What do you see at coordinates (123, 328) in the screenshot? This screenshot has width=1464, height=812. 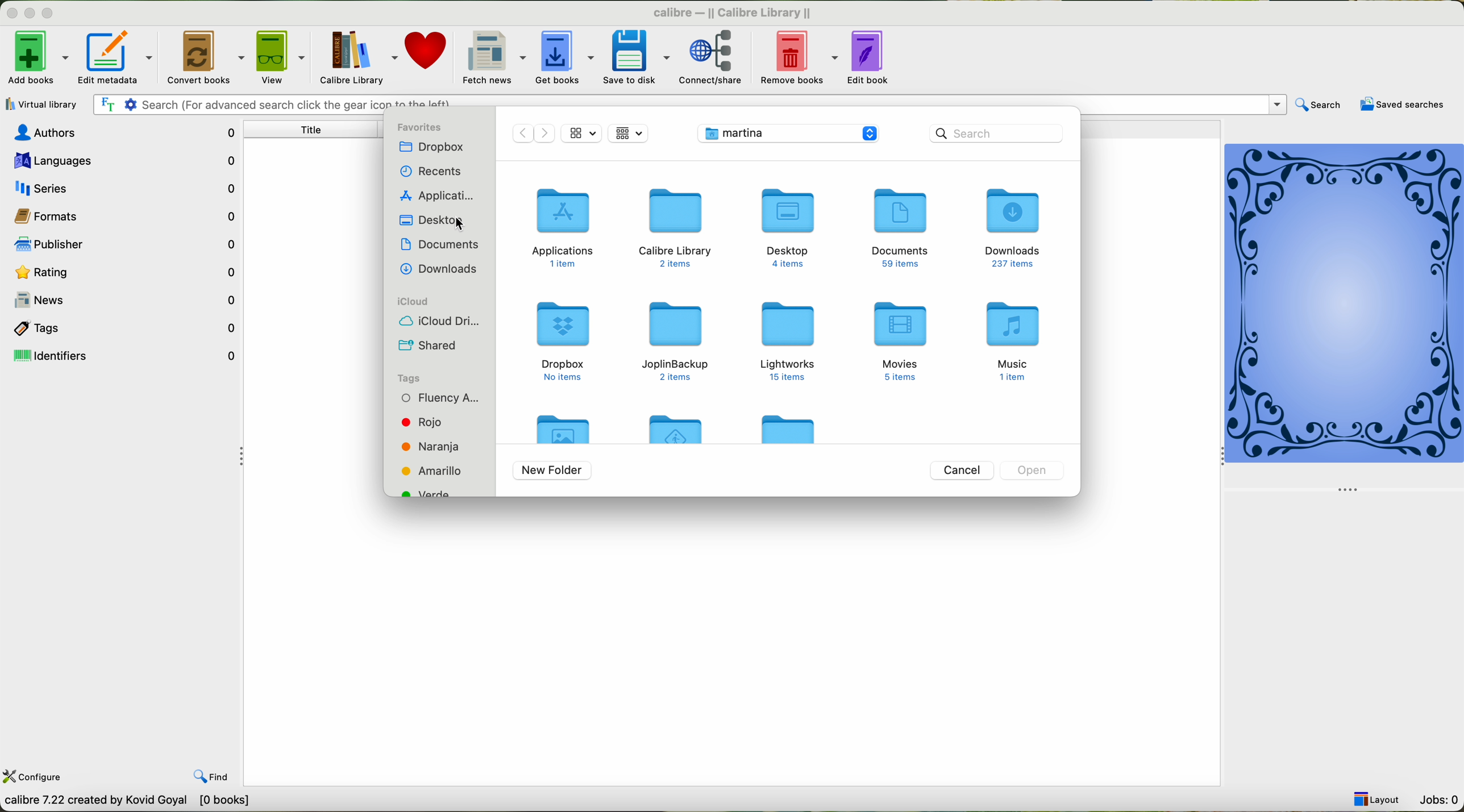 I see `tags` at bounding box center [123, 328].